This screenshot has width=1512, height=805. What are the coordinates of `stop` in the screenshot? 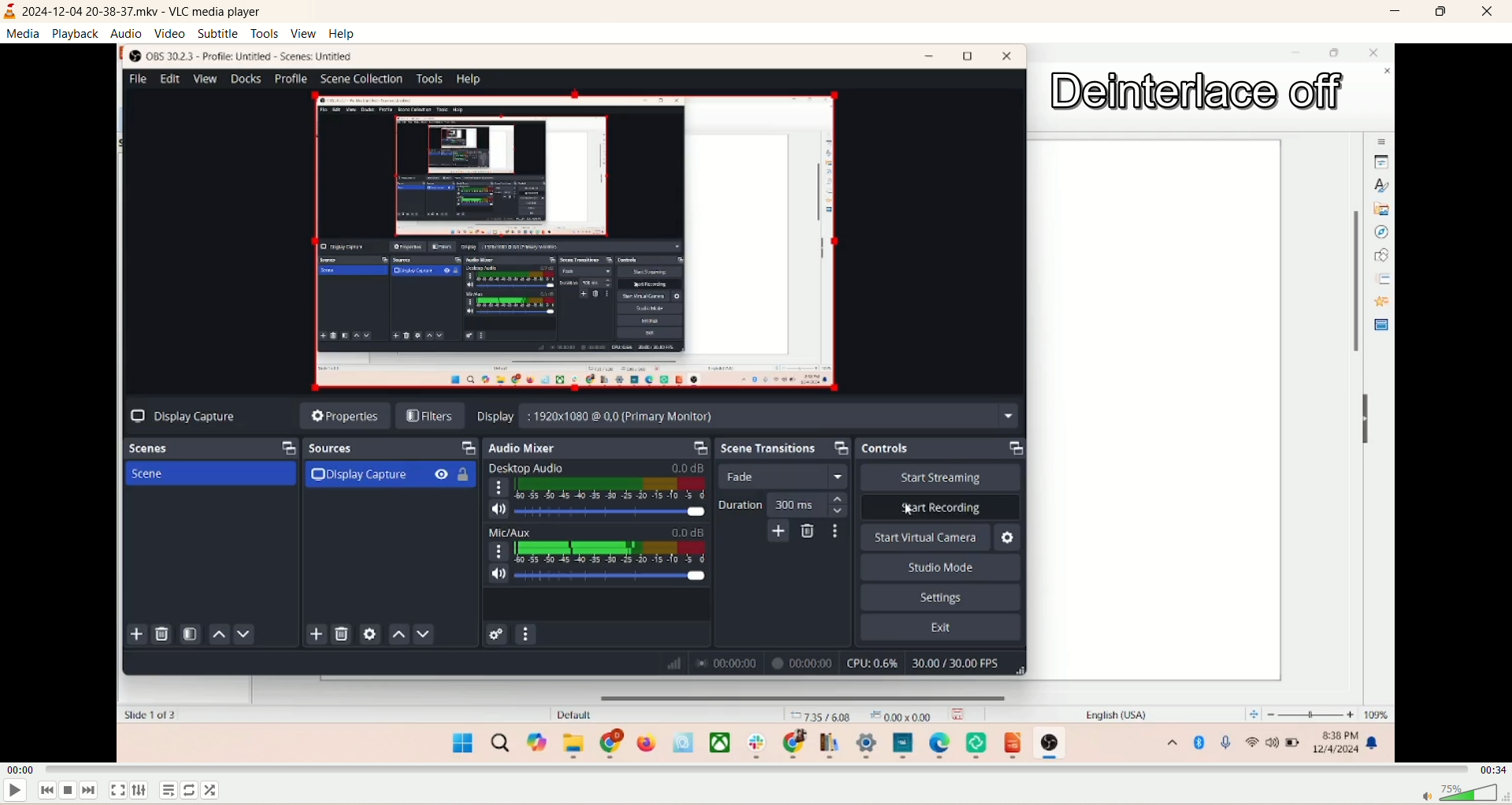 It's located at (72, 793).